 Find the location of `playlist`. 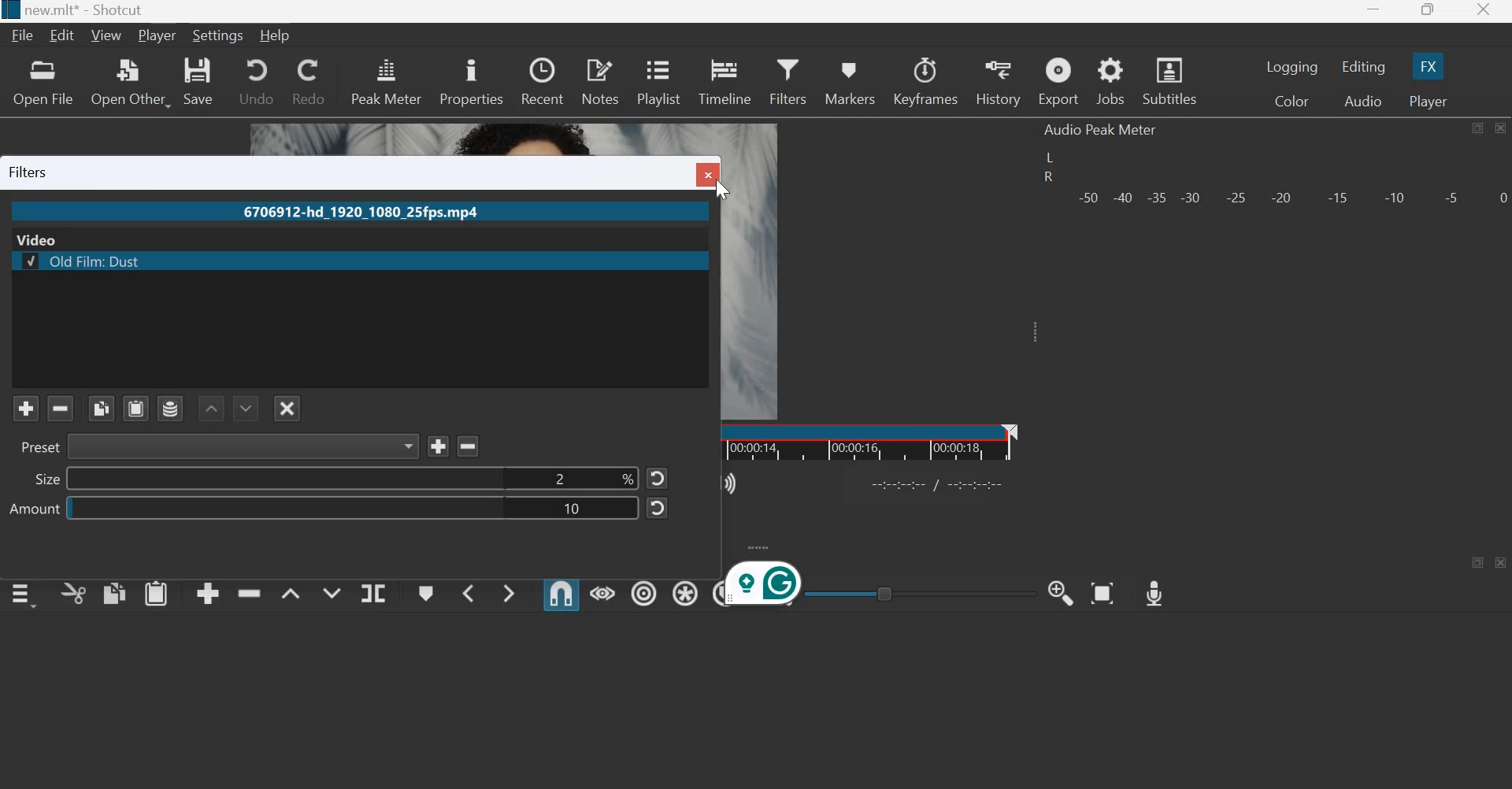

playlist is located at coordinates (658, 80).